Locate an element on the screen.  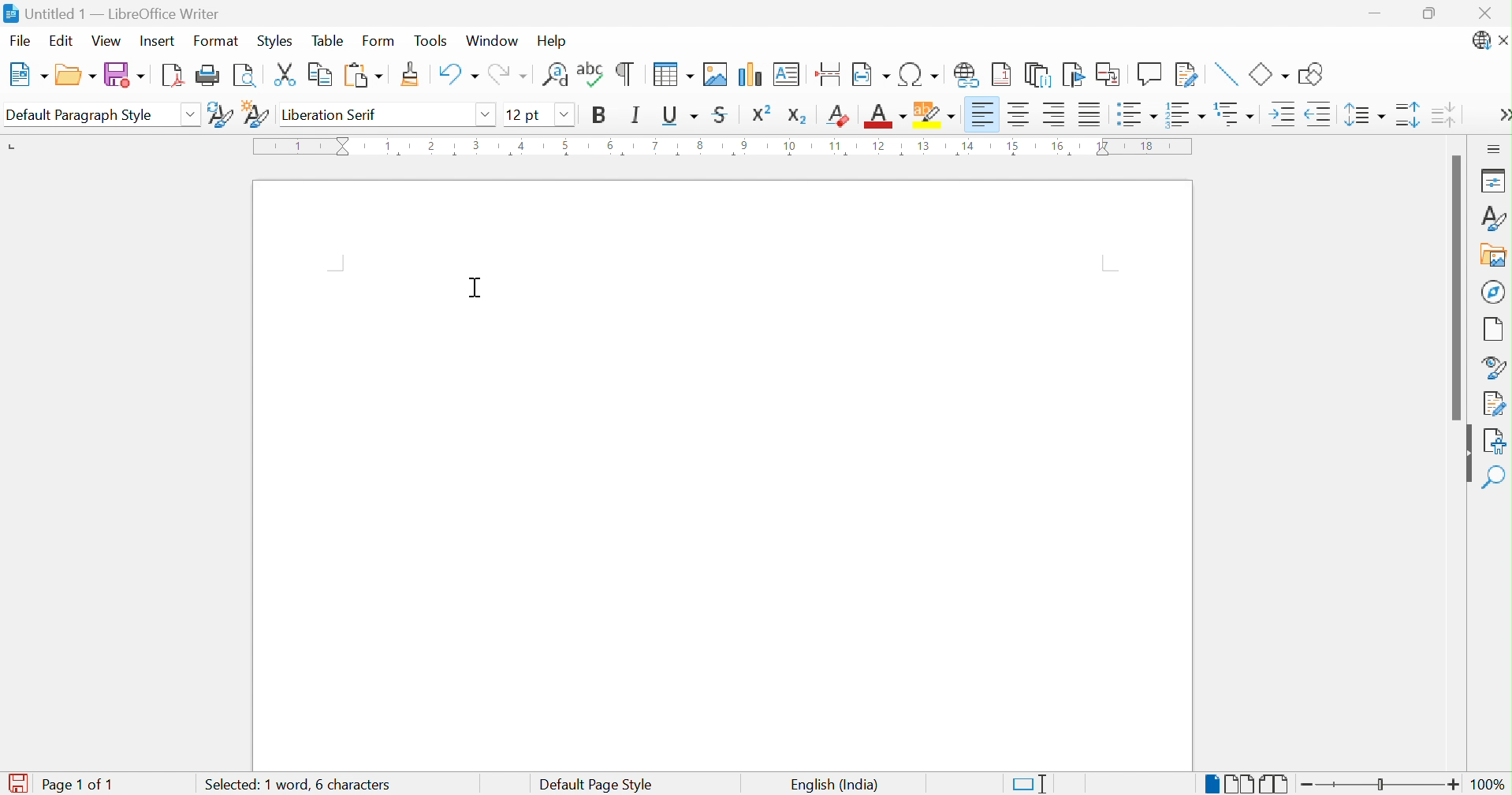
Drop down is located at coordinates (560, 114).